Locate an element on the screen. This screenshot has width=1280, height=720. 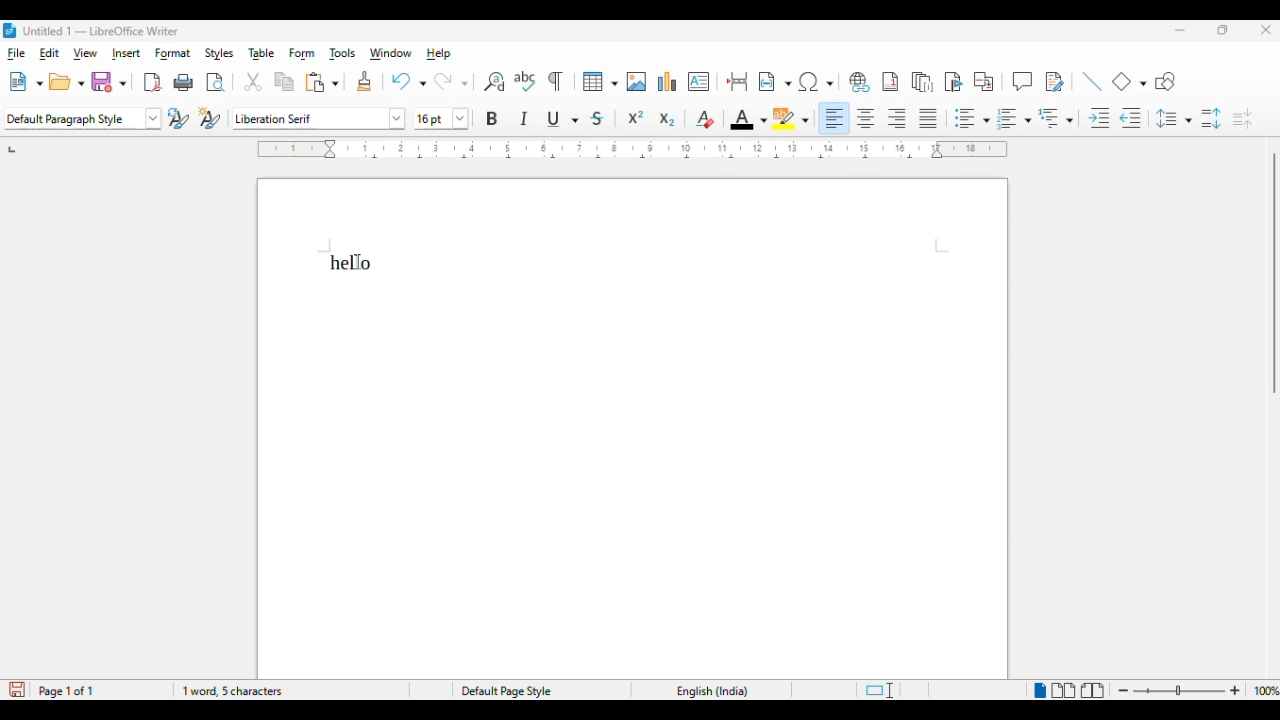
font style is located at coordinates (319, 118).